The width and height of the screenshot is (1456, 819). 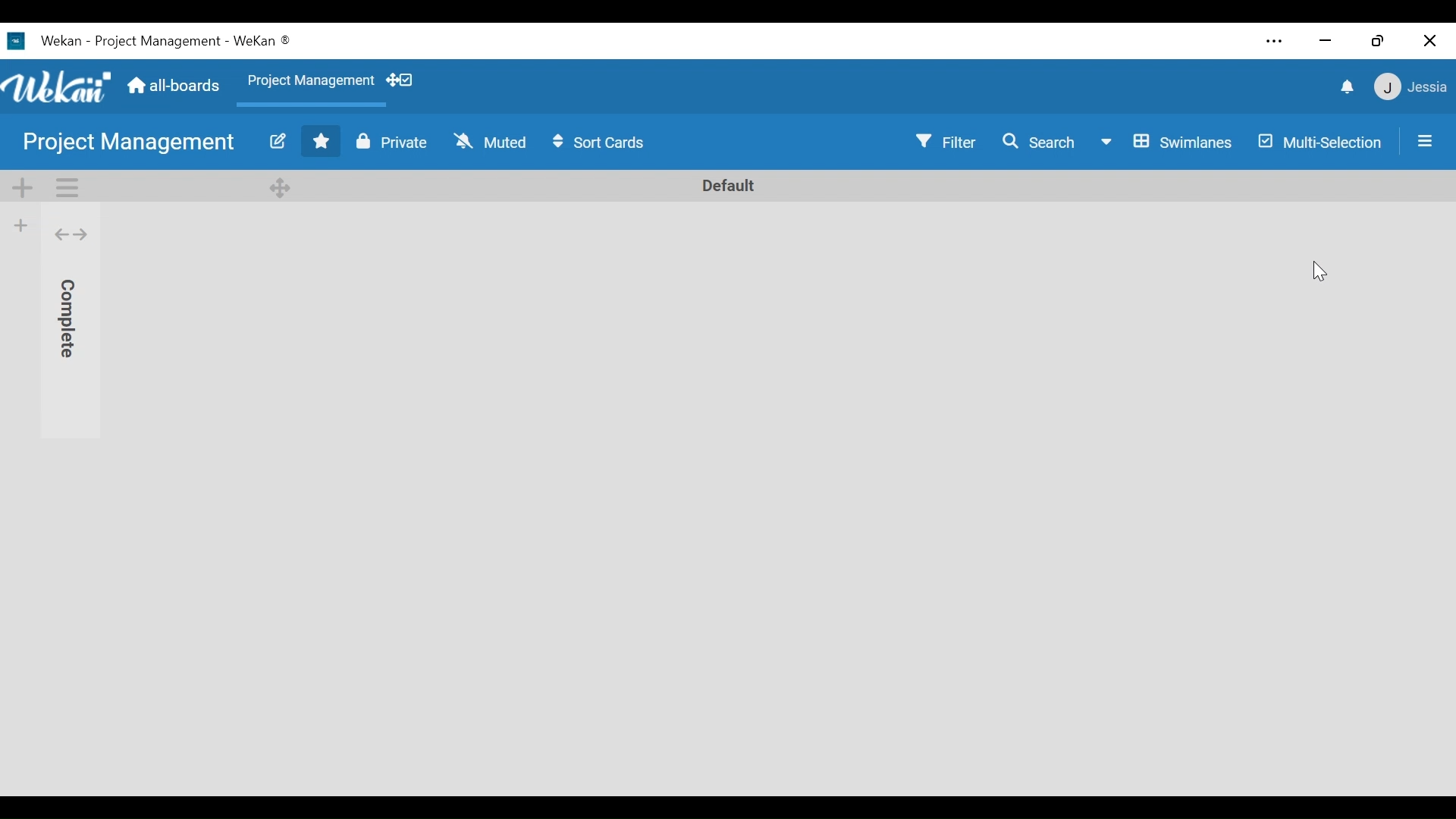 What do you see at coordinates (1043, 142) in the screenshot?
I see `Search` at bounding box center [1043, 142].